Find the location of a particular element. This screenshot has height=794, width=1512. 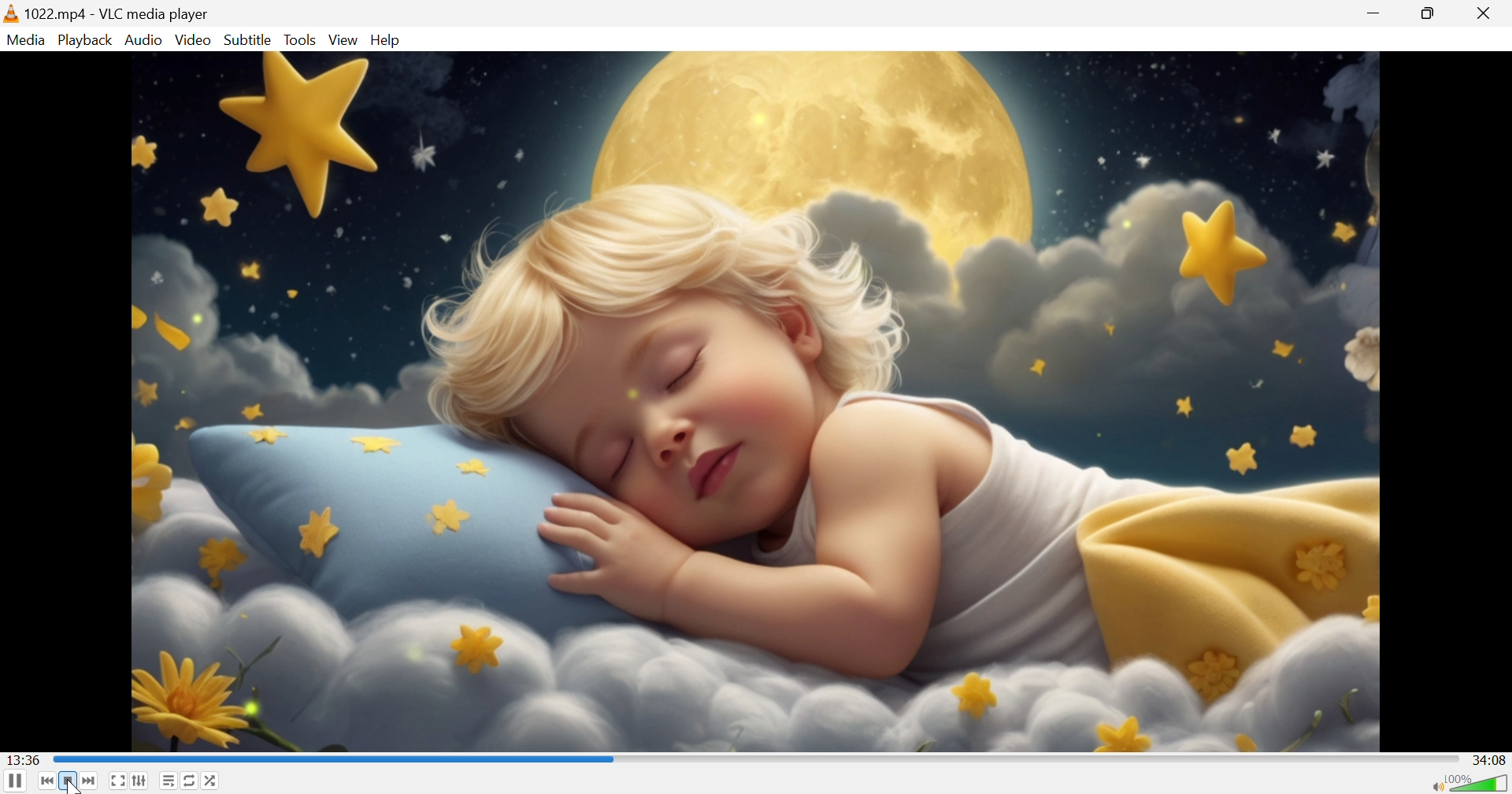

Toggle the video in fullscreen is located at coordinates (118, 780).